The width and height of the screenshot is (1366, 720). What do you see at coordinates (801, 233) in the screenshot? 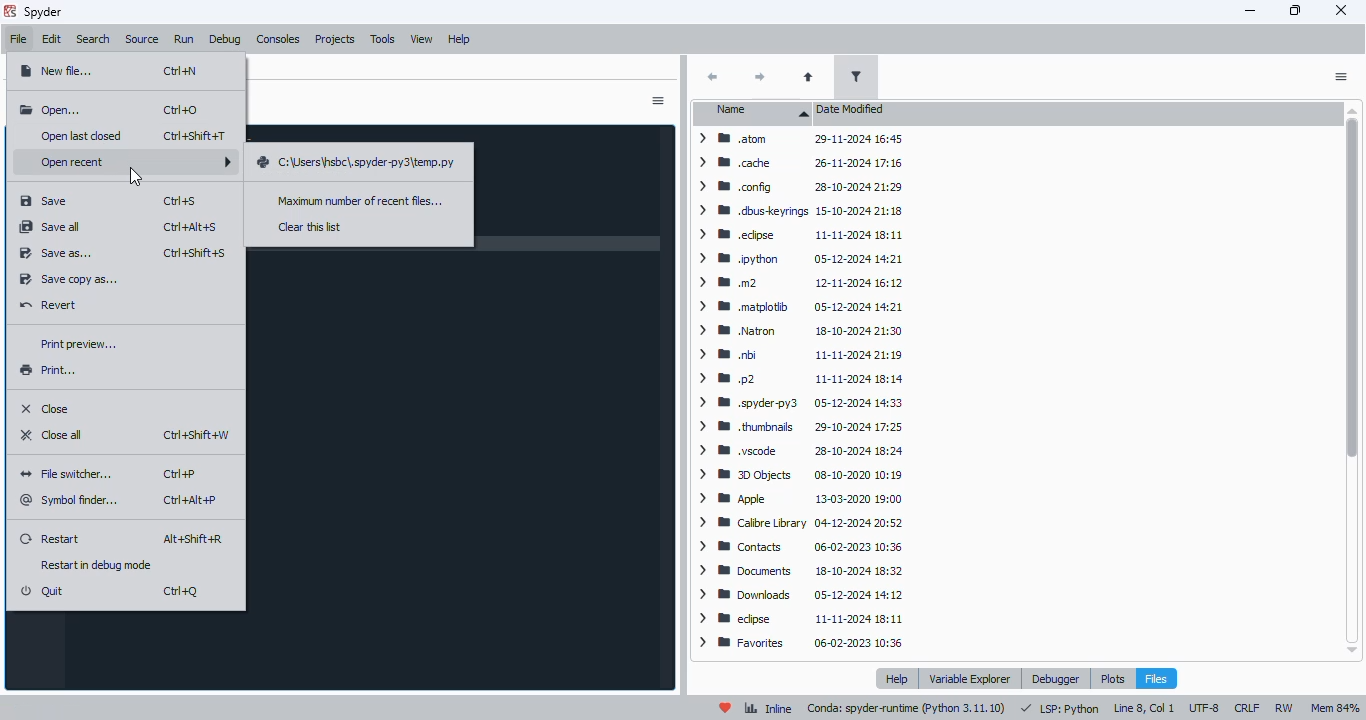
I see `> BB .edpse 11-11-2024 18:11` at bounding box center [801, 233].